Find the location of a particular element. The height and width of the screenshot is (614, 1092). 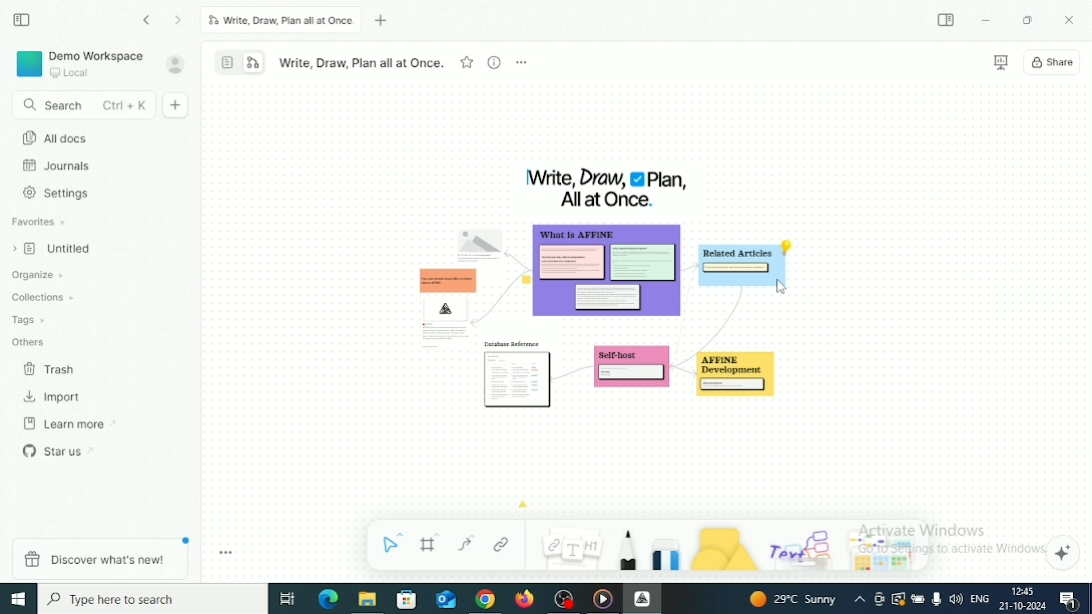

Frame is located at coordinates (431, 543).